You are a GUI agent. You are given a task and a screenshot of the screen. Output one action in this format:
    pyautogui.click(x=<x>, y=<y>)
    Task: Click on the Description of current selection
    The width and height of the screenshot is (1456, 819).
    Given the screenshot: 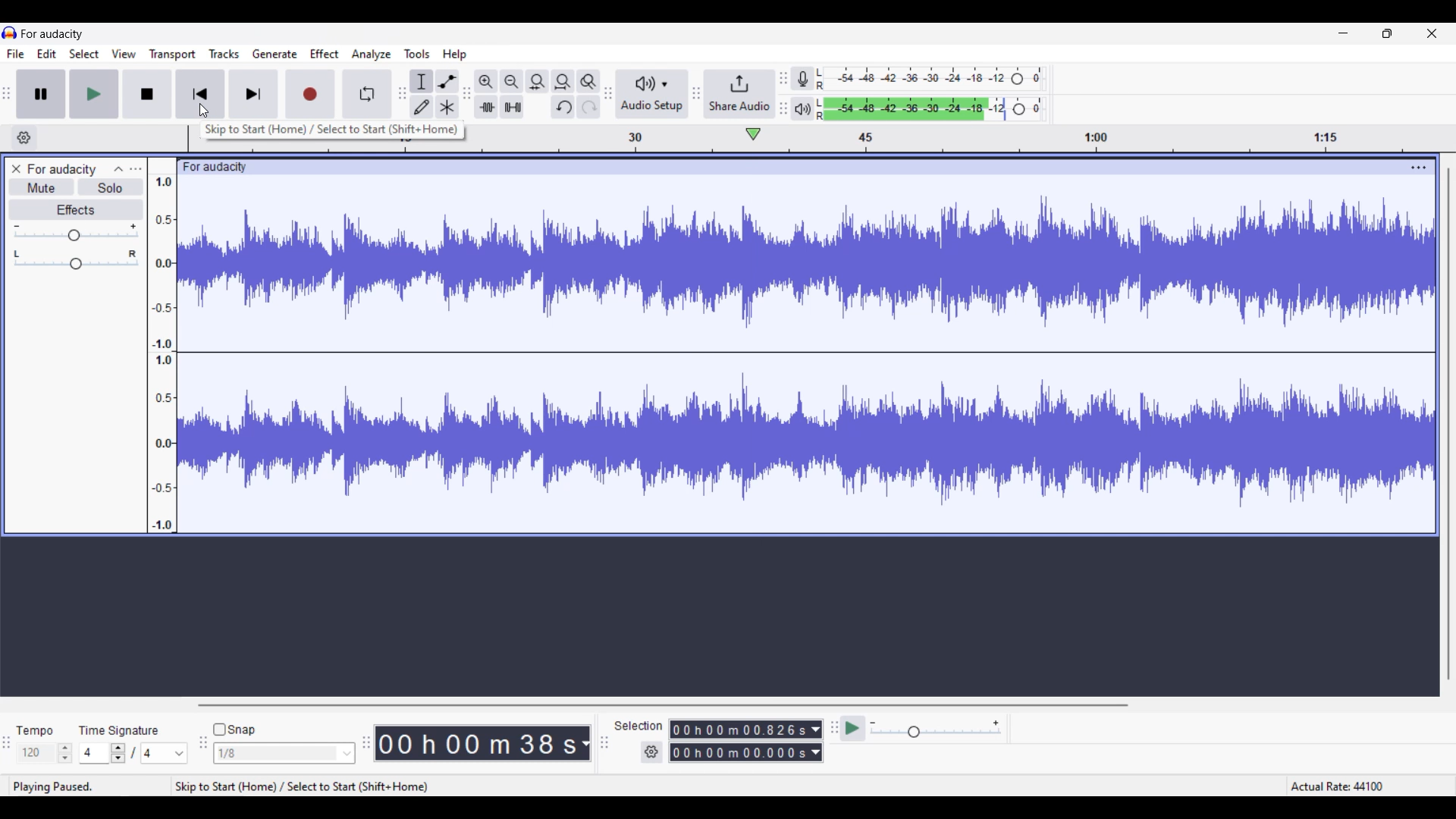 What is the action you would take?
    pyautogui.click(x=332, y=130)
    